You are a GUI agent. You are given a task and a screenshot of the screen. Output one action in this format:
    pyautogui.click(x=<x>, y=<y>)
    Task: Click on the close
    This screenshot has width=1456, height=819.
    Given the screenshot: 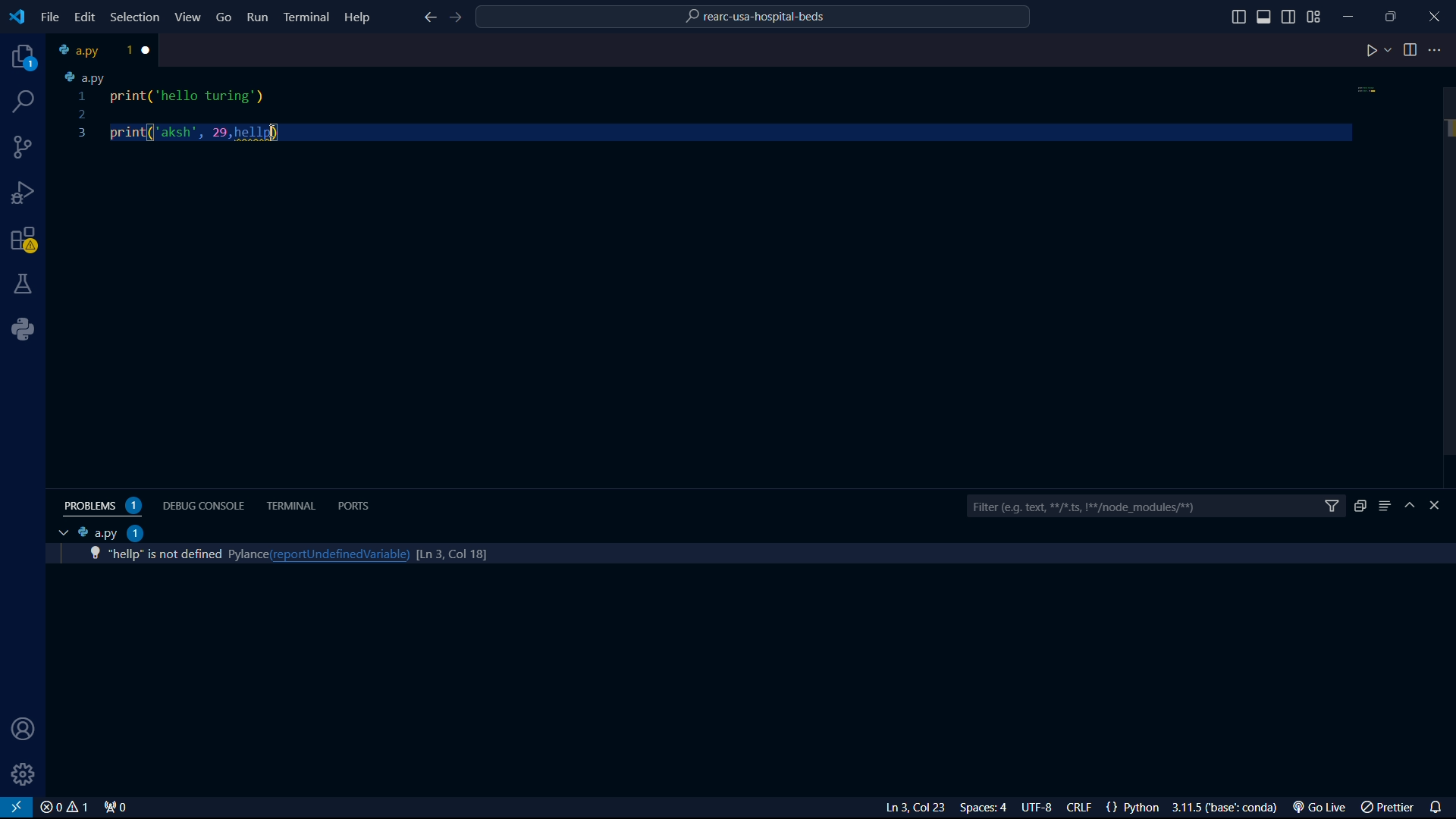 What is the action you would take?
    pyautogui.click(x=64, y=808)
    